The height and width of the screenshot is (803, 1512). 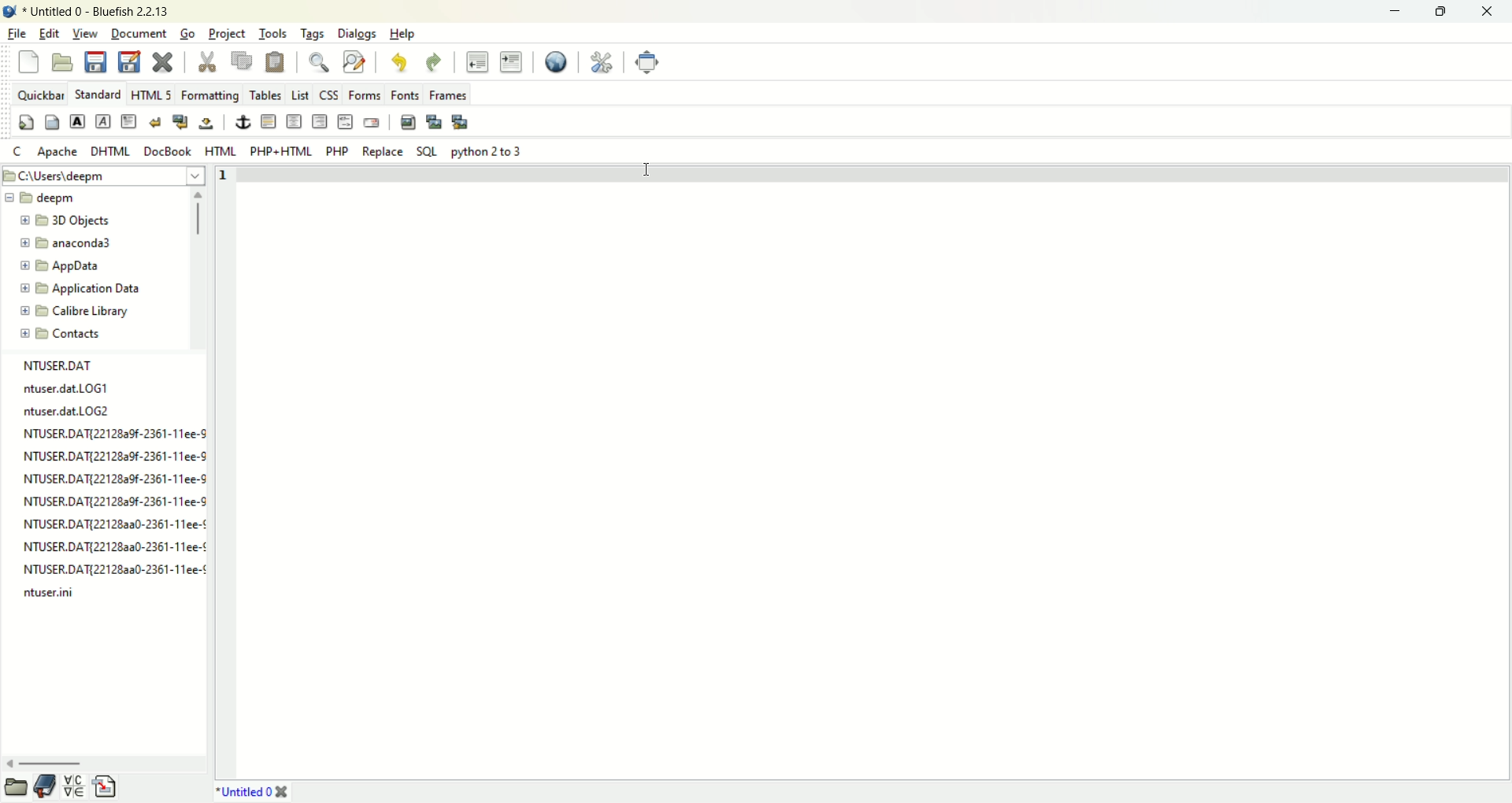 What do you see at coordinates (405, 94) in the screenshot?
I see `Fonts` at bounding box center [405, 94].